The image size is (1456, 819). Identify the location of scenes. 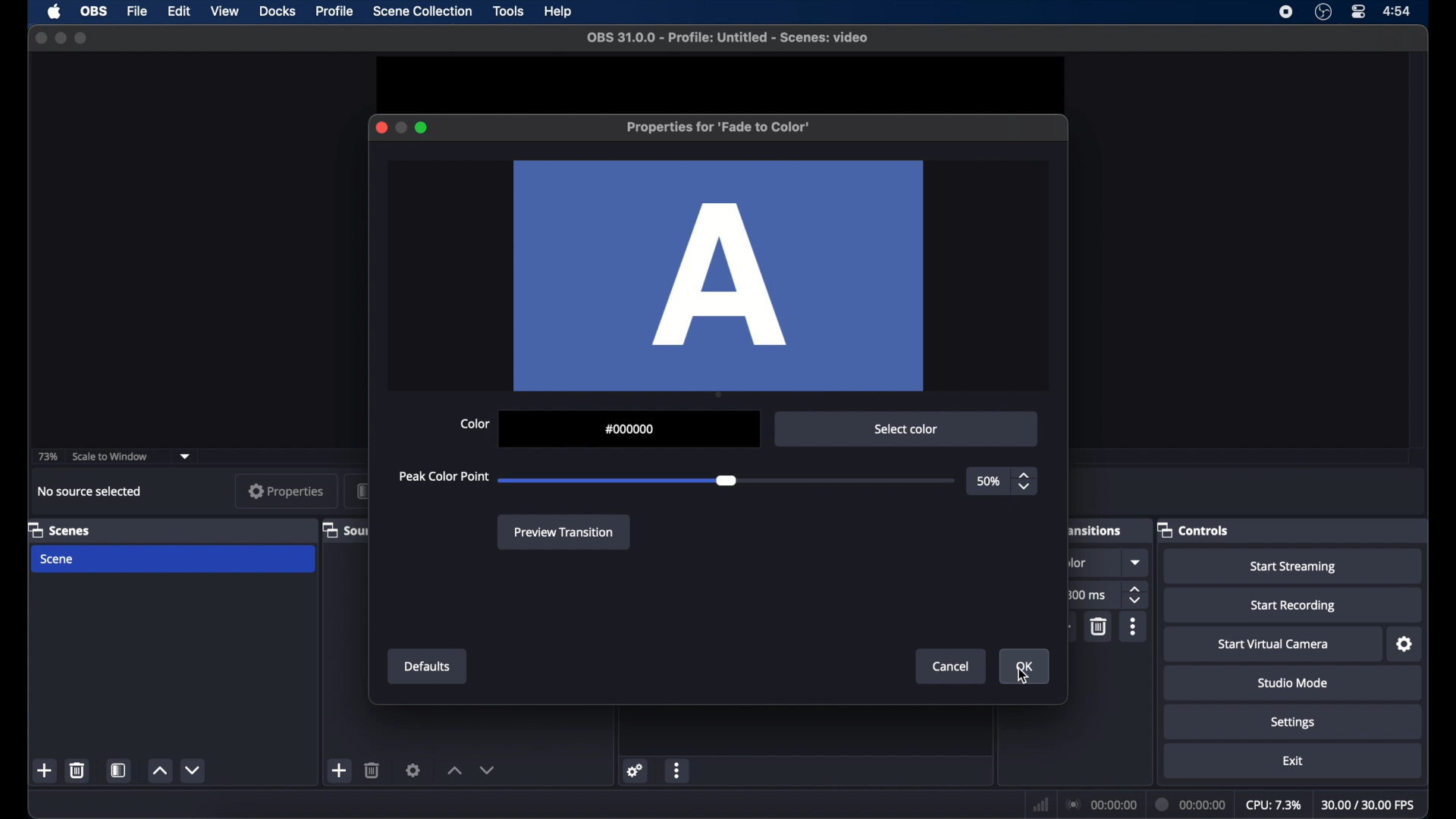
(58, 529).